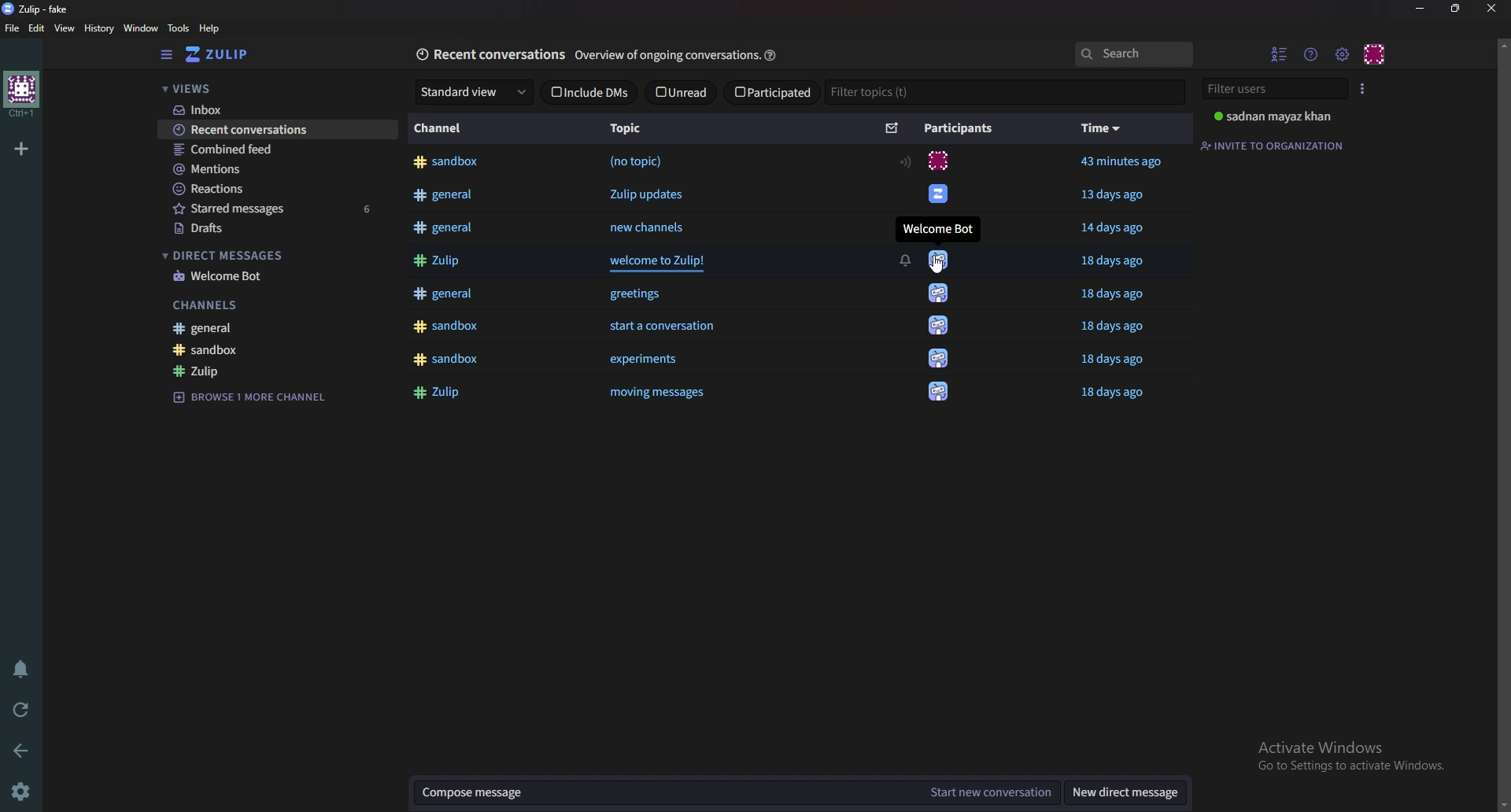 The image size is (1511, 812). I want to click on Participated, so click(770, 93).